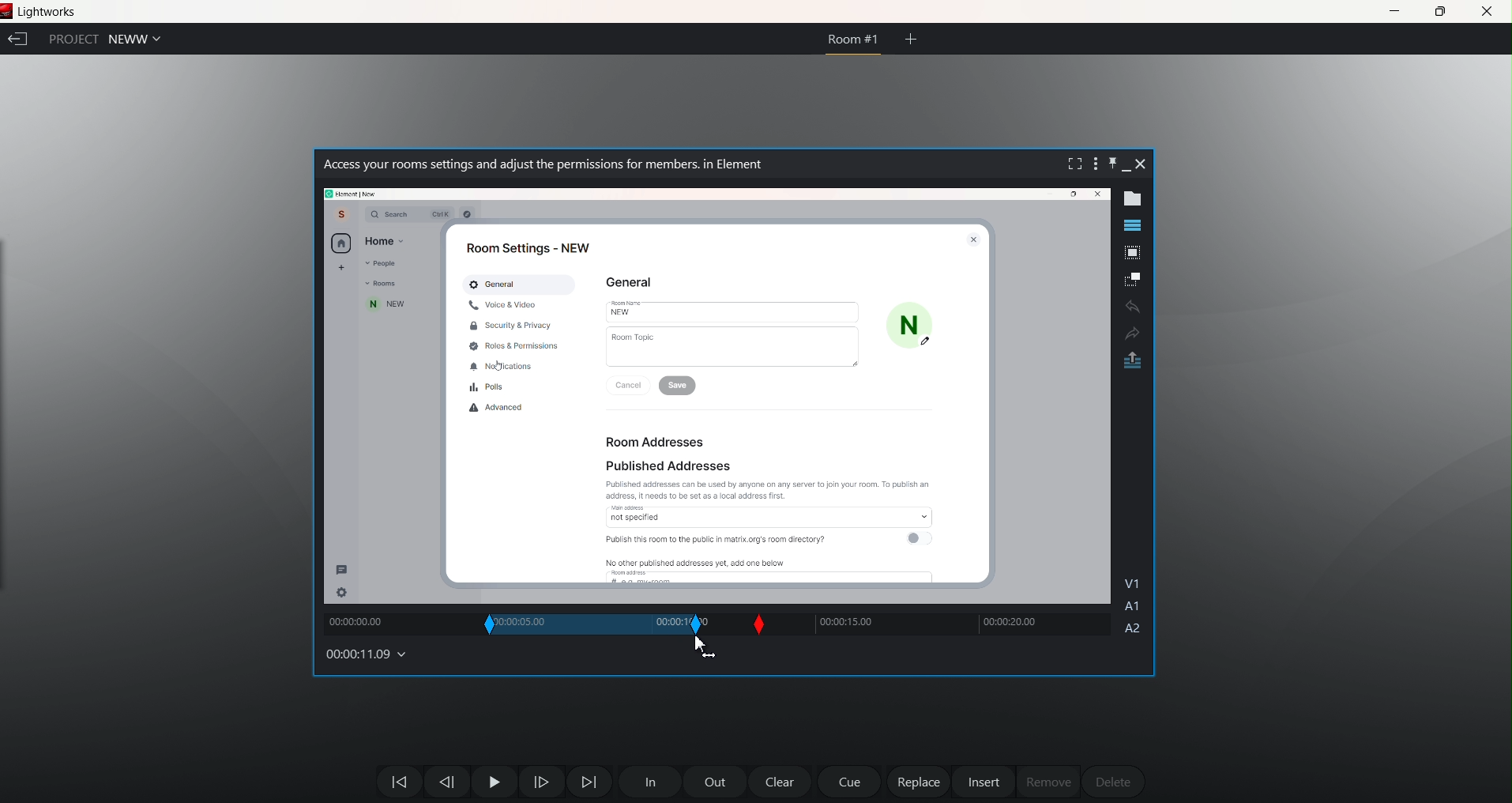 The width and height of the screenshot is (1512, 803). What do you see at coordinates (488, 386) in the screenshot?
I see `Polls` at bounding box center [488, 386].